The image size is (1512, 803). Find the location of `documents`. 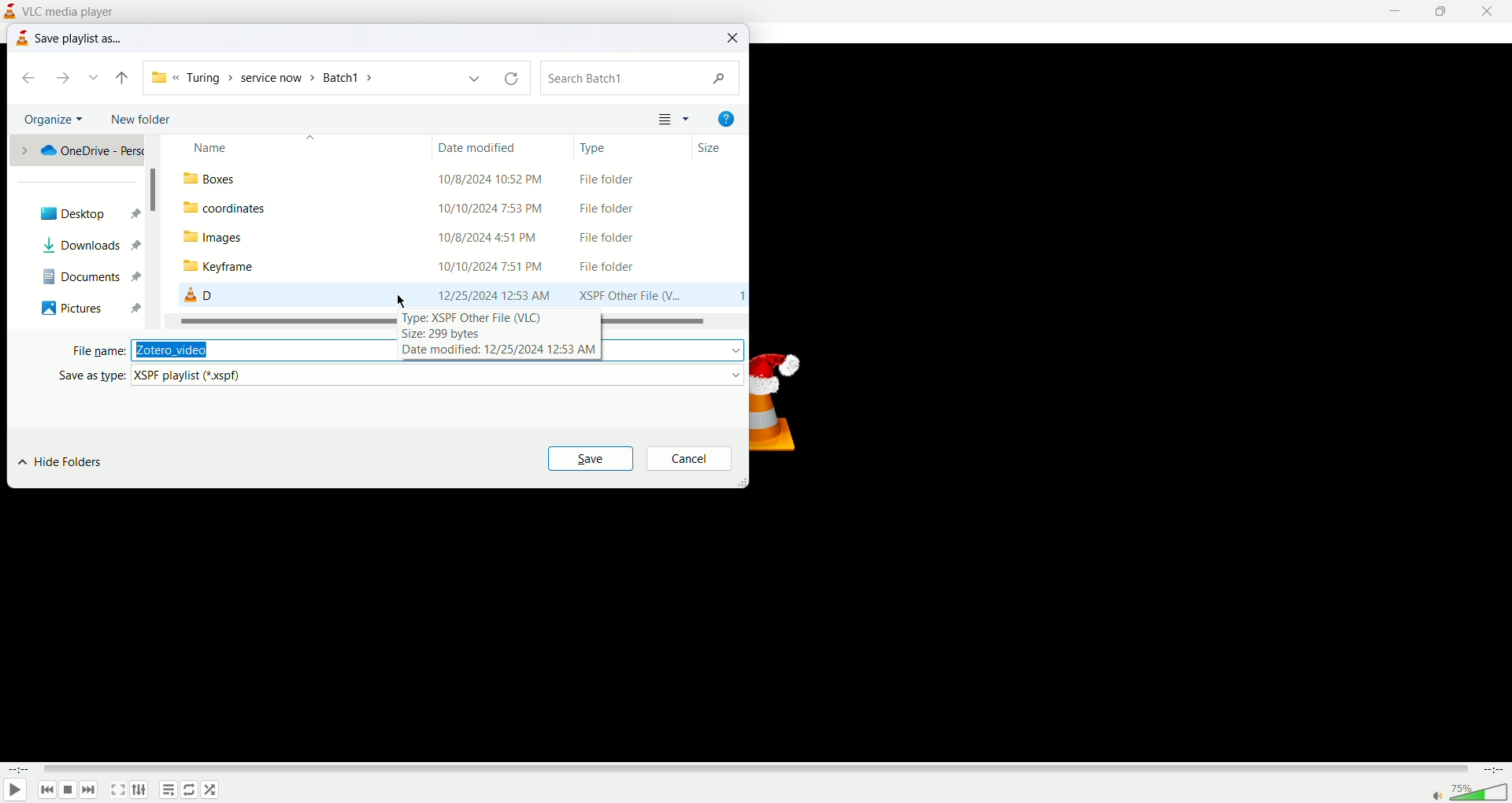

documents is located at coordinates (71, 273).